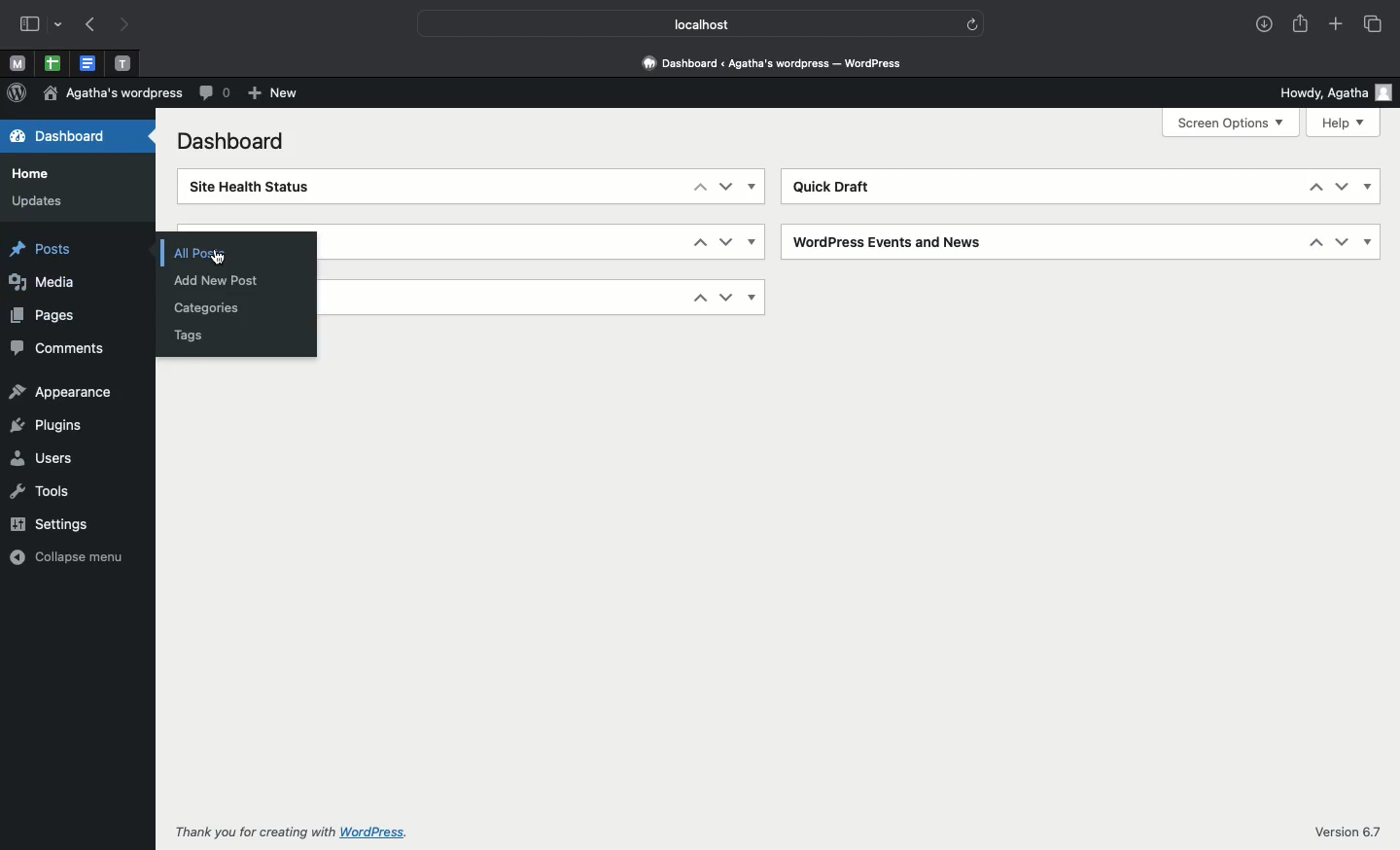  Describe the element at coordinates (1264, 24) in the screenshot. I see `Downloads` at that location.